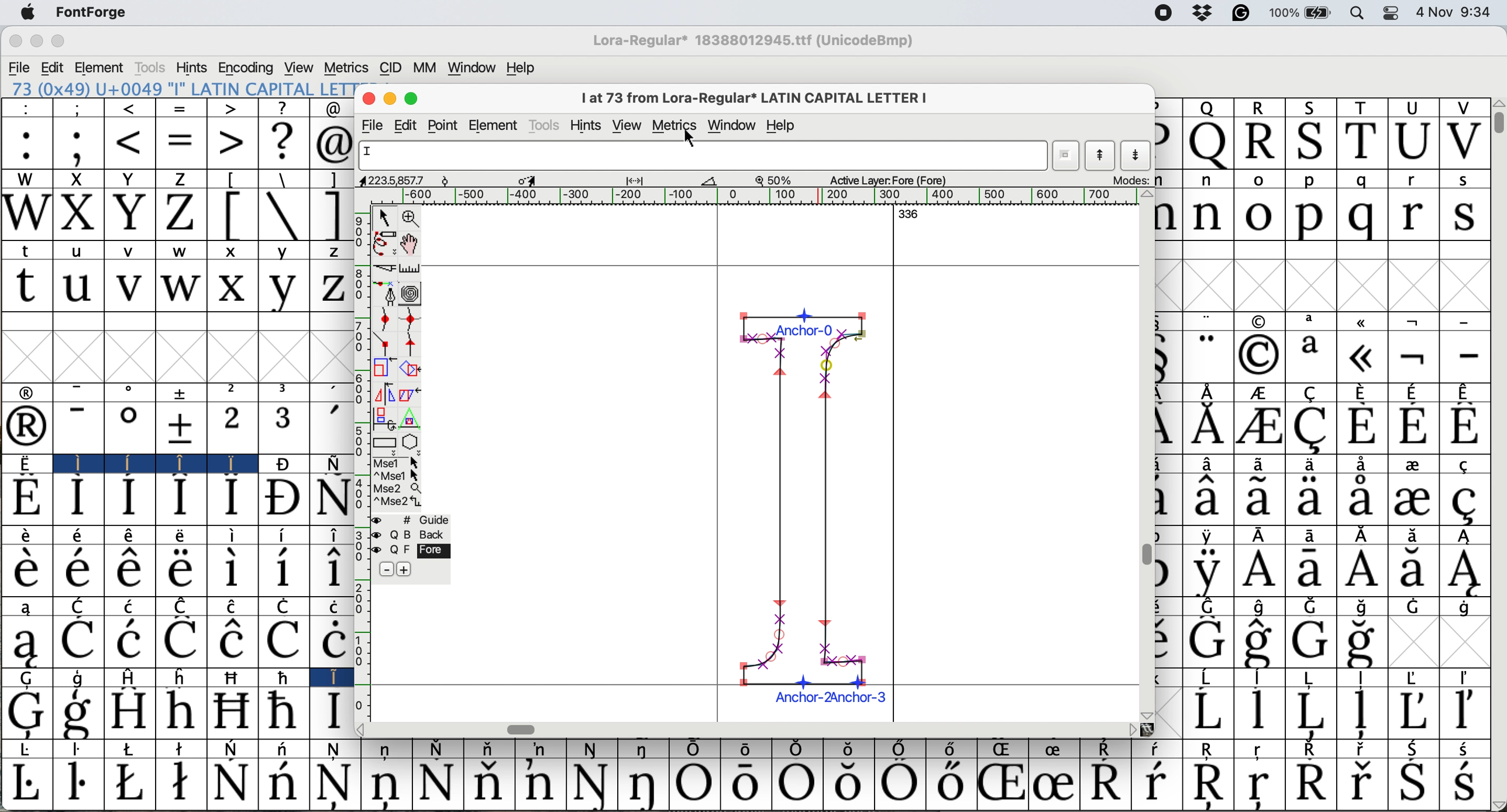 This screenshot has width=1507, height=812. What do you see at coordinates (26, 180) in the screenshot?
I see `W` at bounding box center [26, 180].